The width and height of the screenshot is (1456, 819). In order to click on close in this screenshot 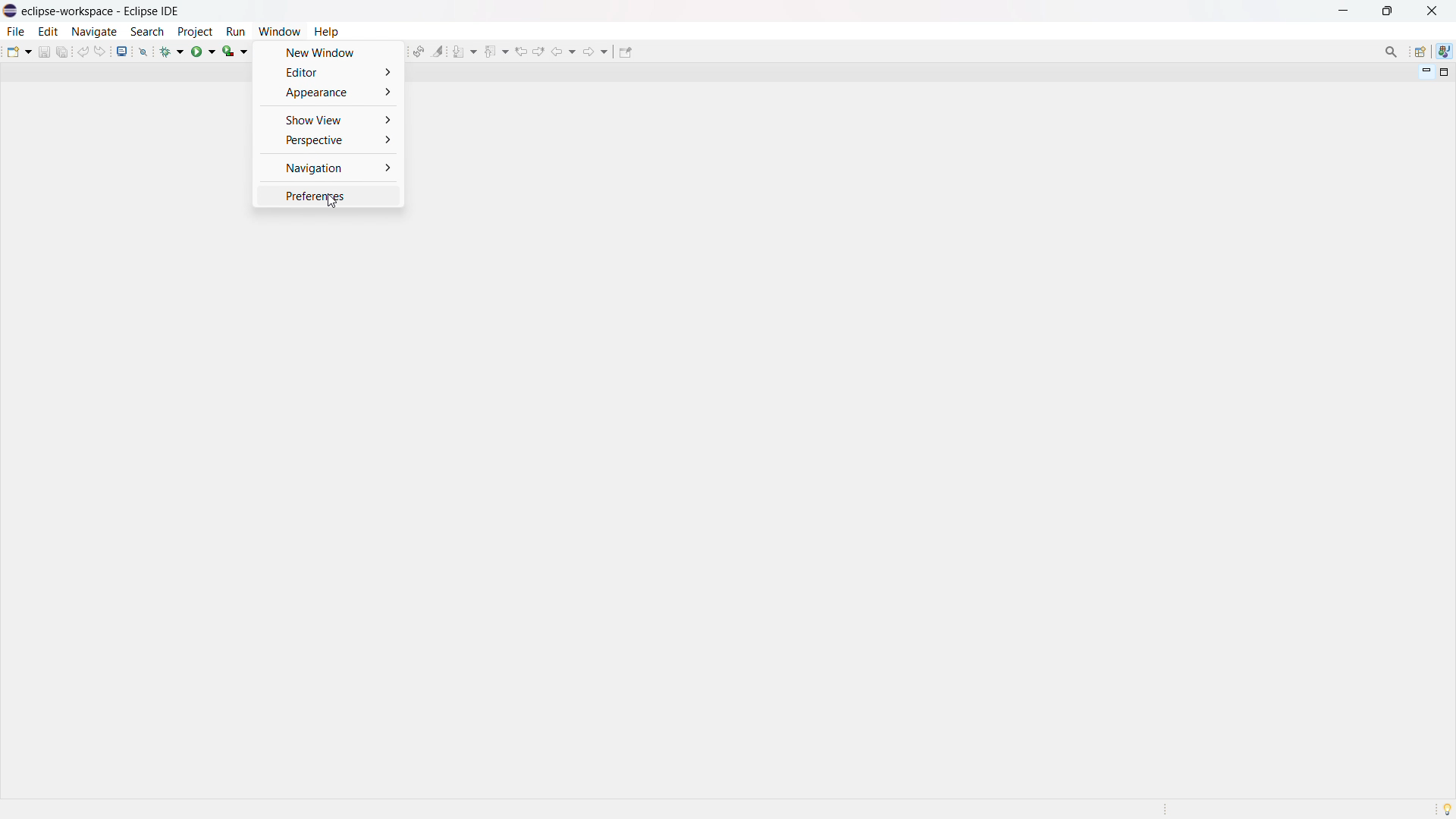, I will do `click(1432, 11)`.